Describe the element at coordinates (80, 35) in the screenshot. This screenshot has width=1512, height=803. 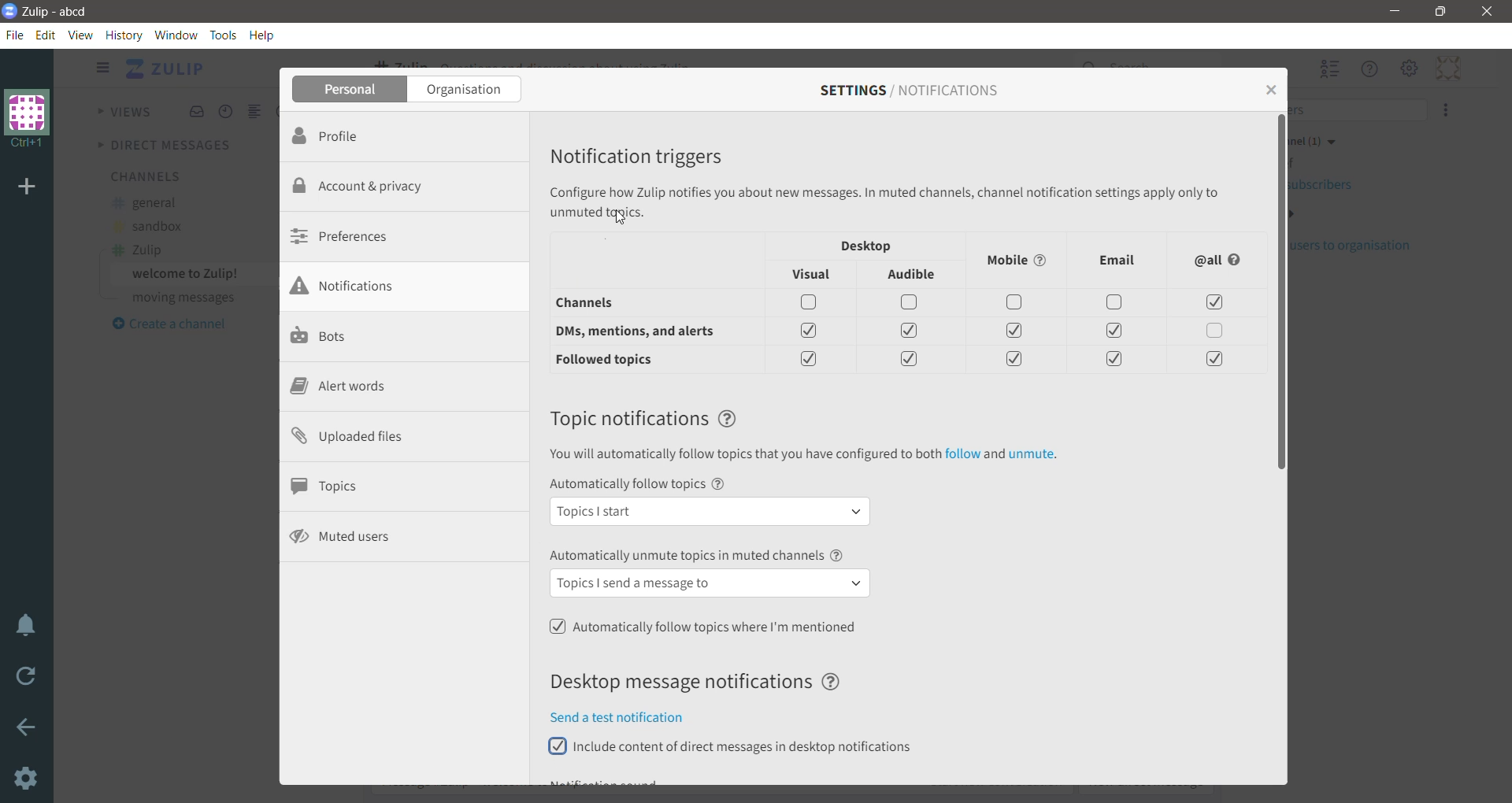
I see `View` at that location.